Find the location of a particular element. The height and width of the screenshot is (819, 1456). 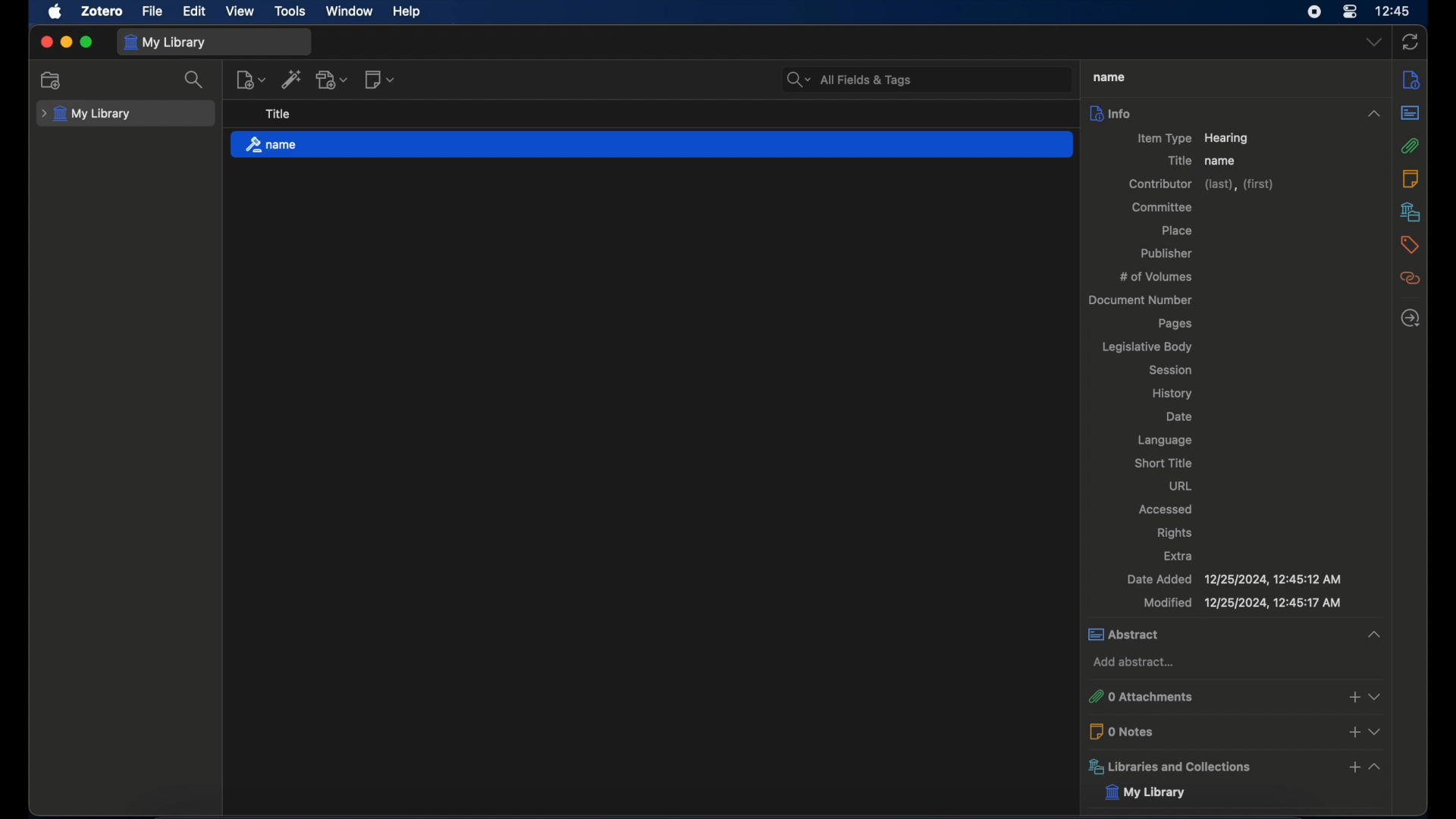

time is located at coordinates (1393, 10).